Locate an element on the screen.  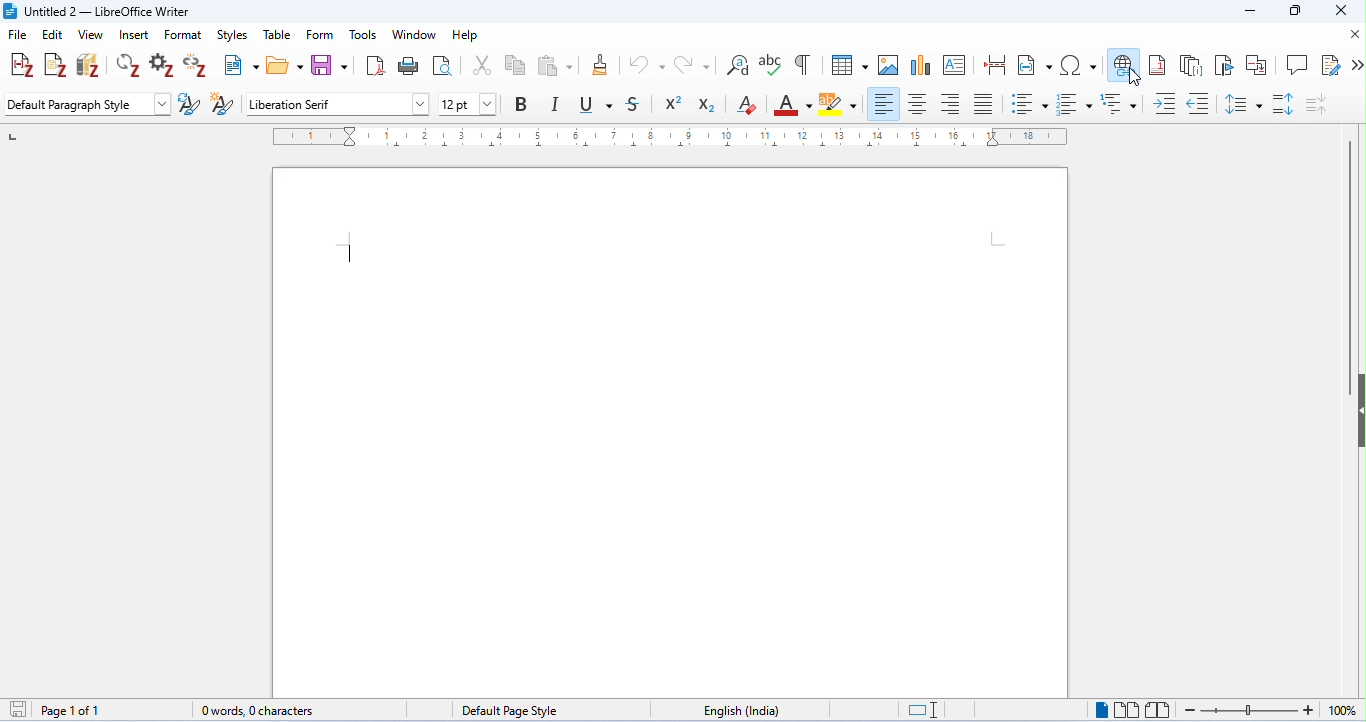
maximize is located at coordinates (1296, 11).